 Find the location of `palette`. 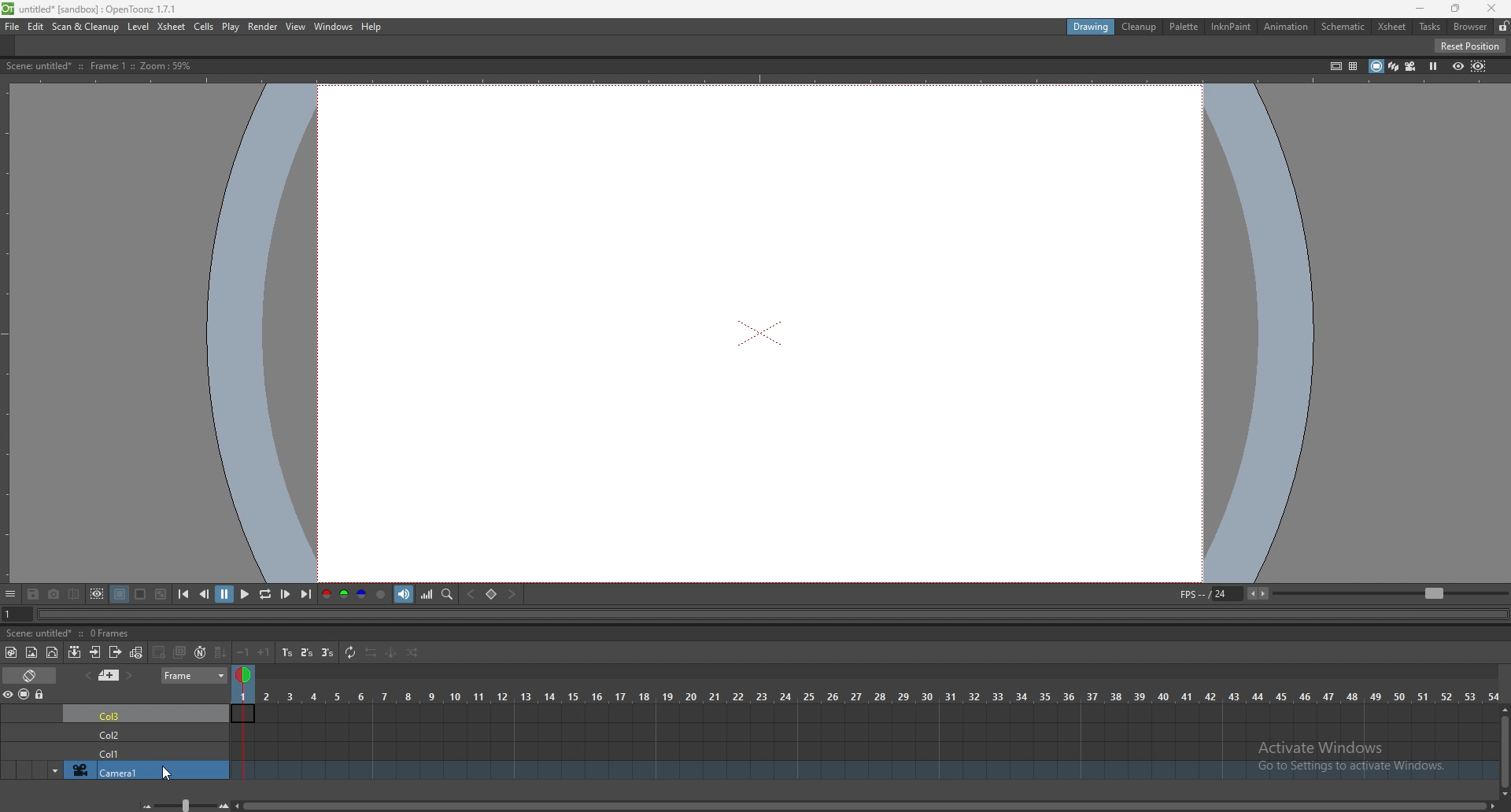

palette is located at coordinates (1184, 26).